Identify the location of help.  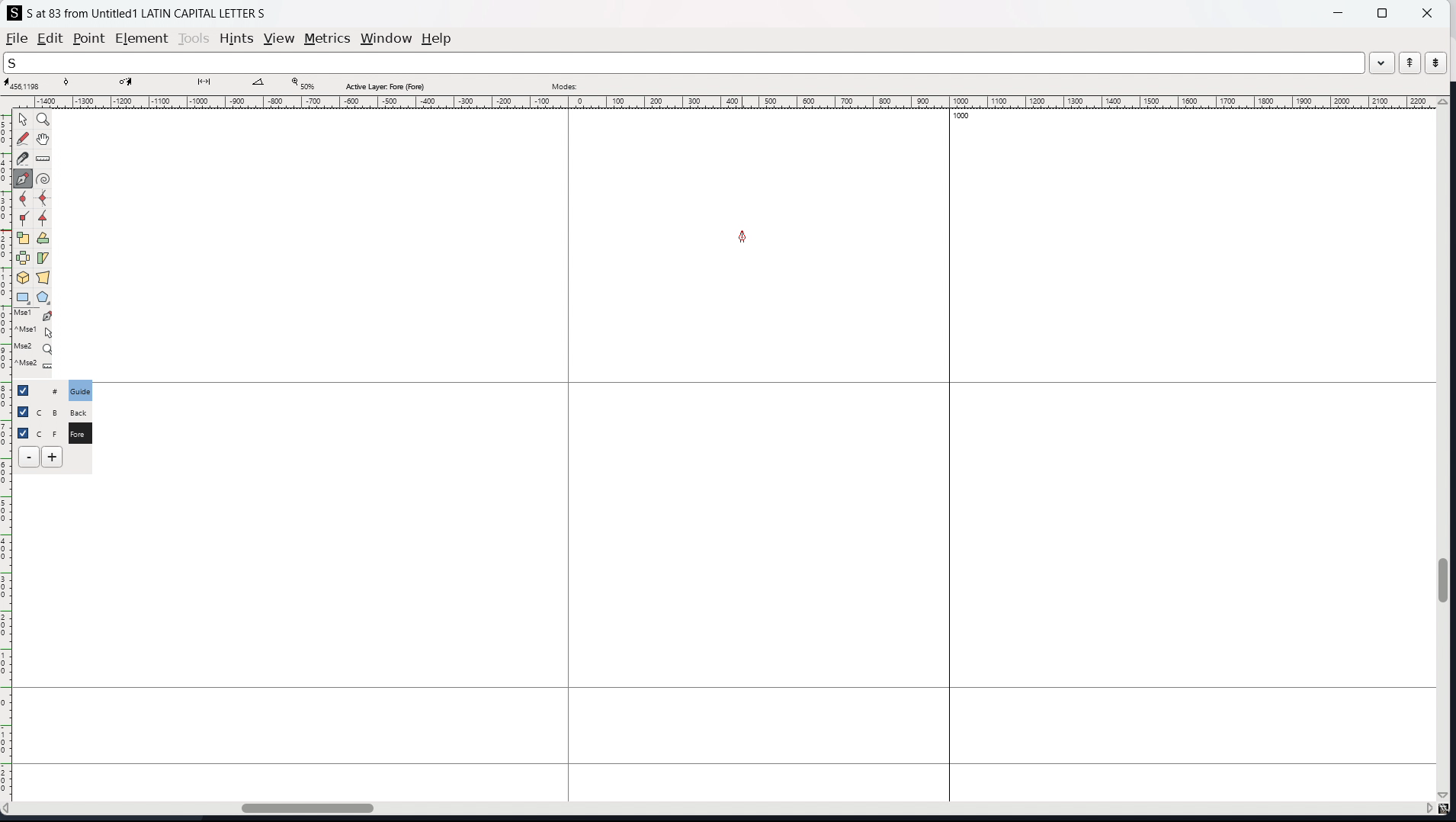
(437, 39).